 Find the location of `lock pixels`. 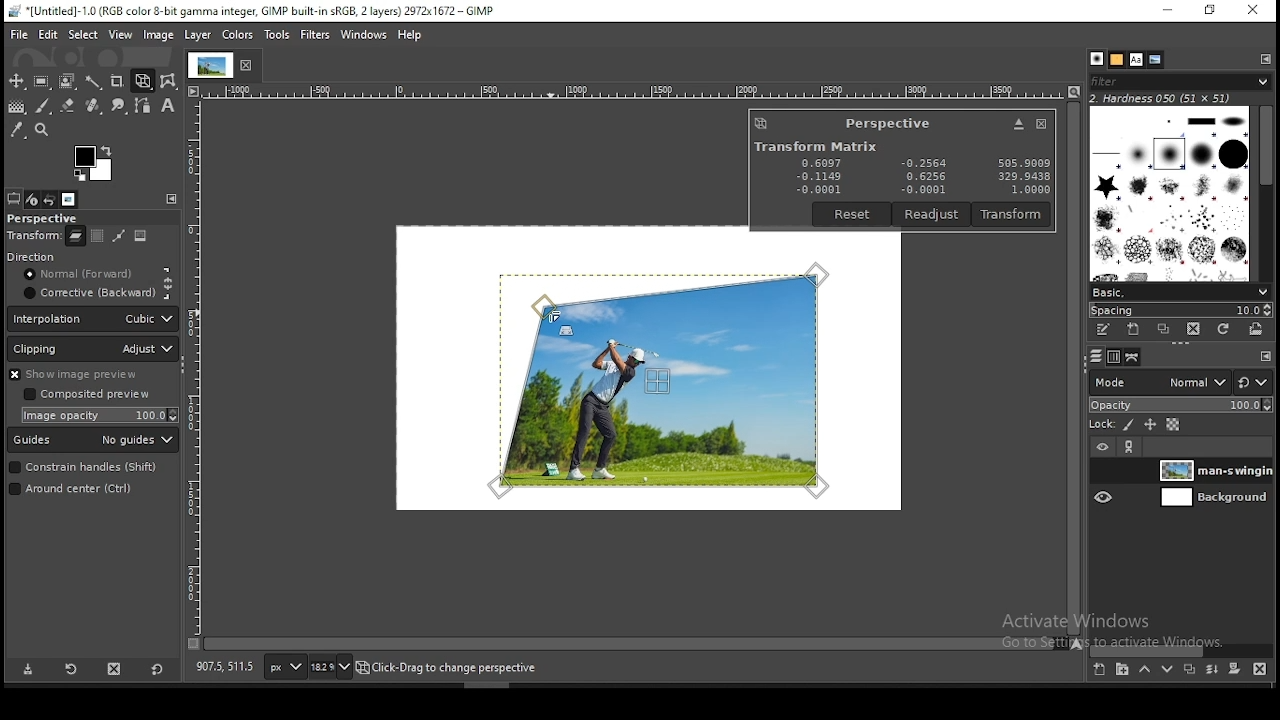

lock pixels is located at coordinates (1126, 424).